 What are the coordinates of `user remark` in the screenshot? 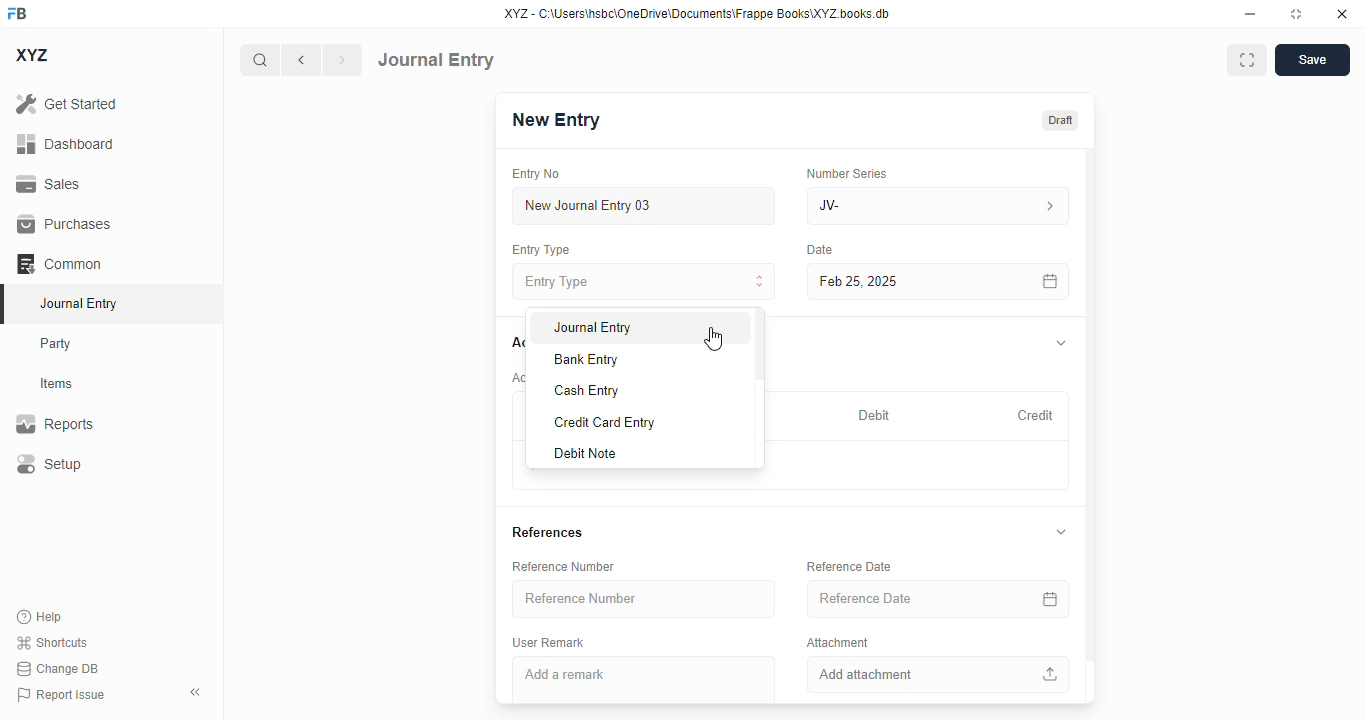 It's located at (548, 643).